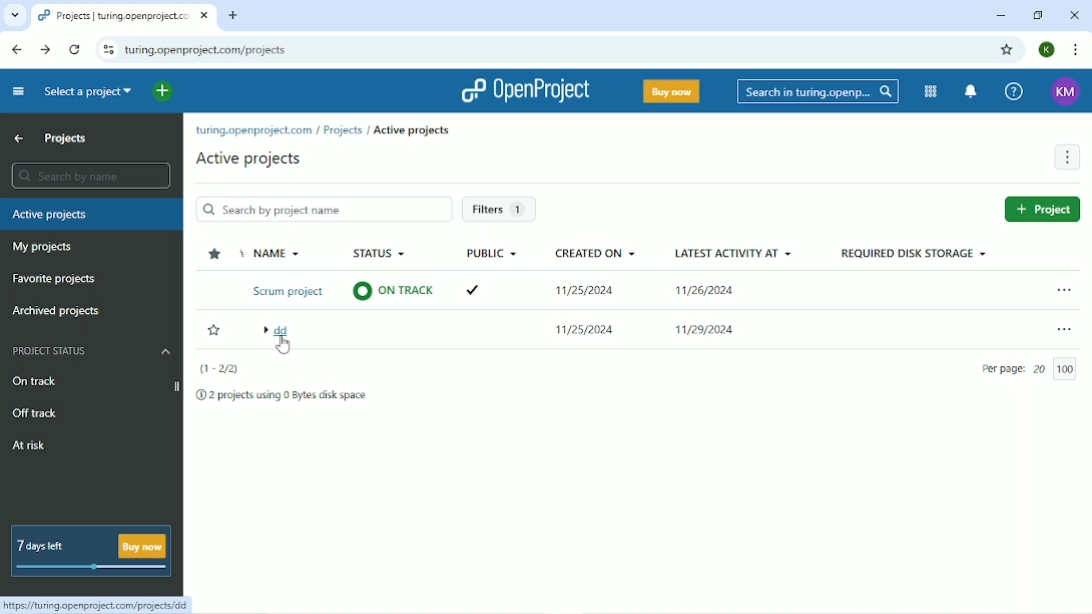  Describe the element at coordinates (15, 49) in the screenshot. I see `Back` at that location.